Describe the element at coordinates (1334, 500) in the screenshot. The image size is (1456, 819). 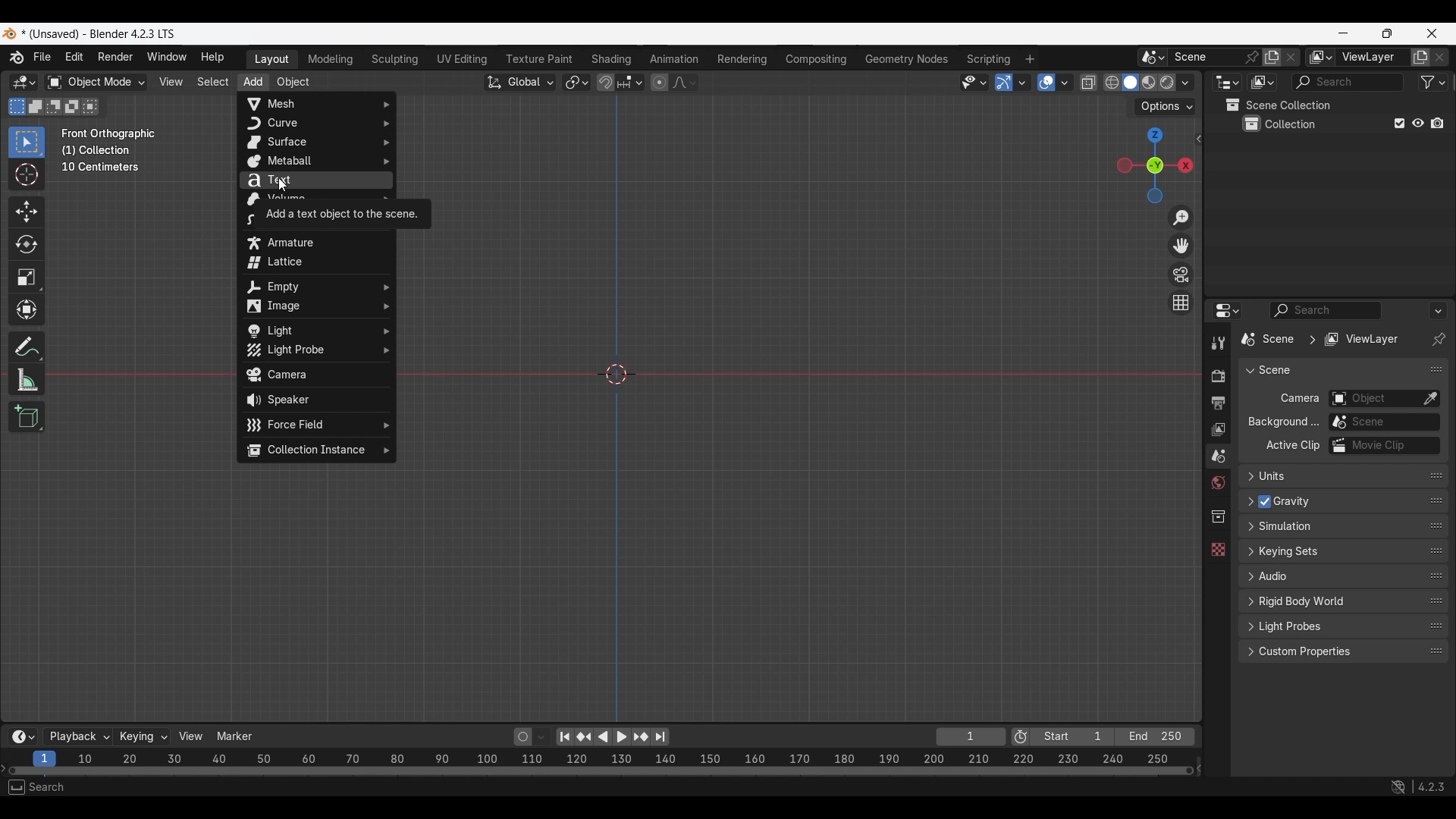
I see `Click to expand` at that location.